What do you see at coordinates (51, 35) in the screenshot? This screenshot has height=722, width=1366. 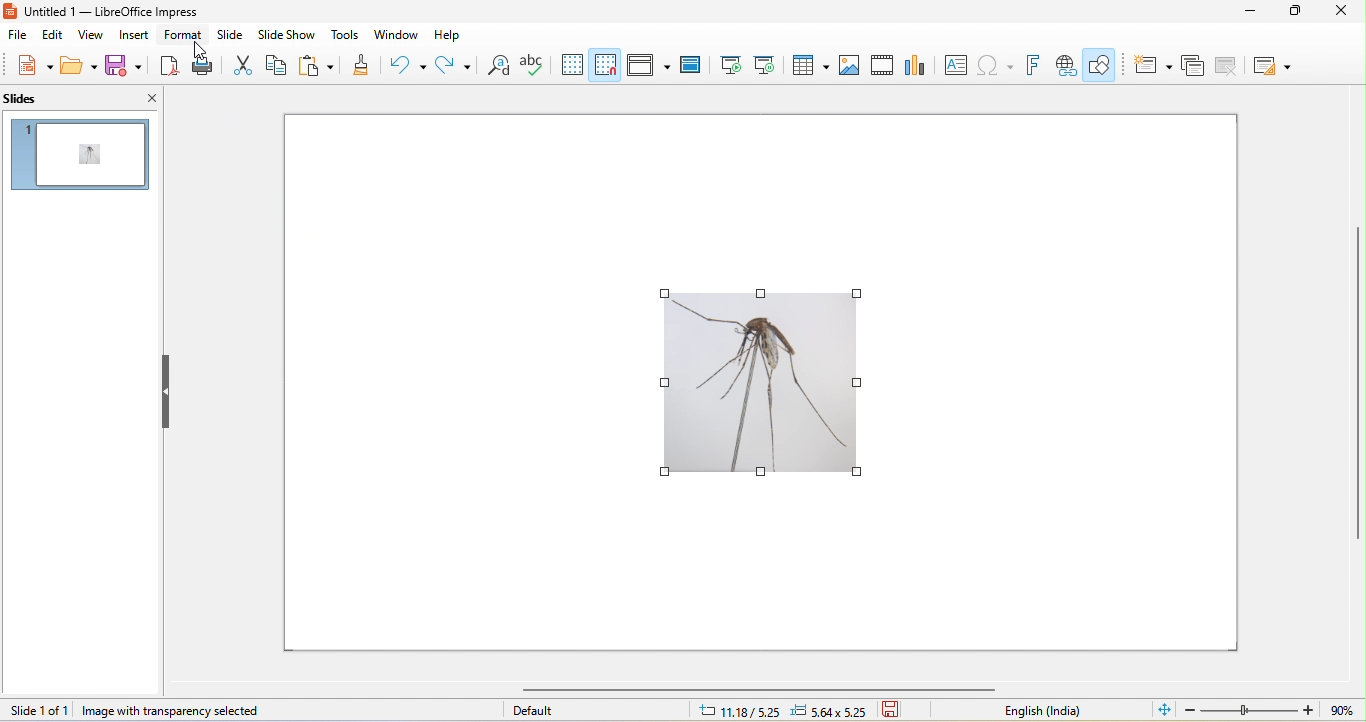 I see `edit` at bounding box center [51, 35].